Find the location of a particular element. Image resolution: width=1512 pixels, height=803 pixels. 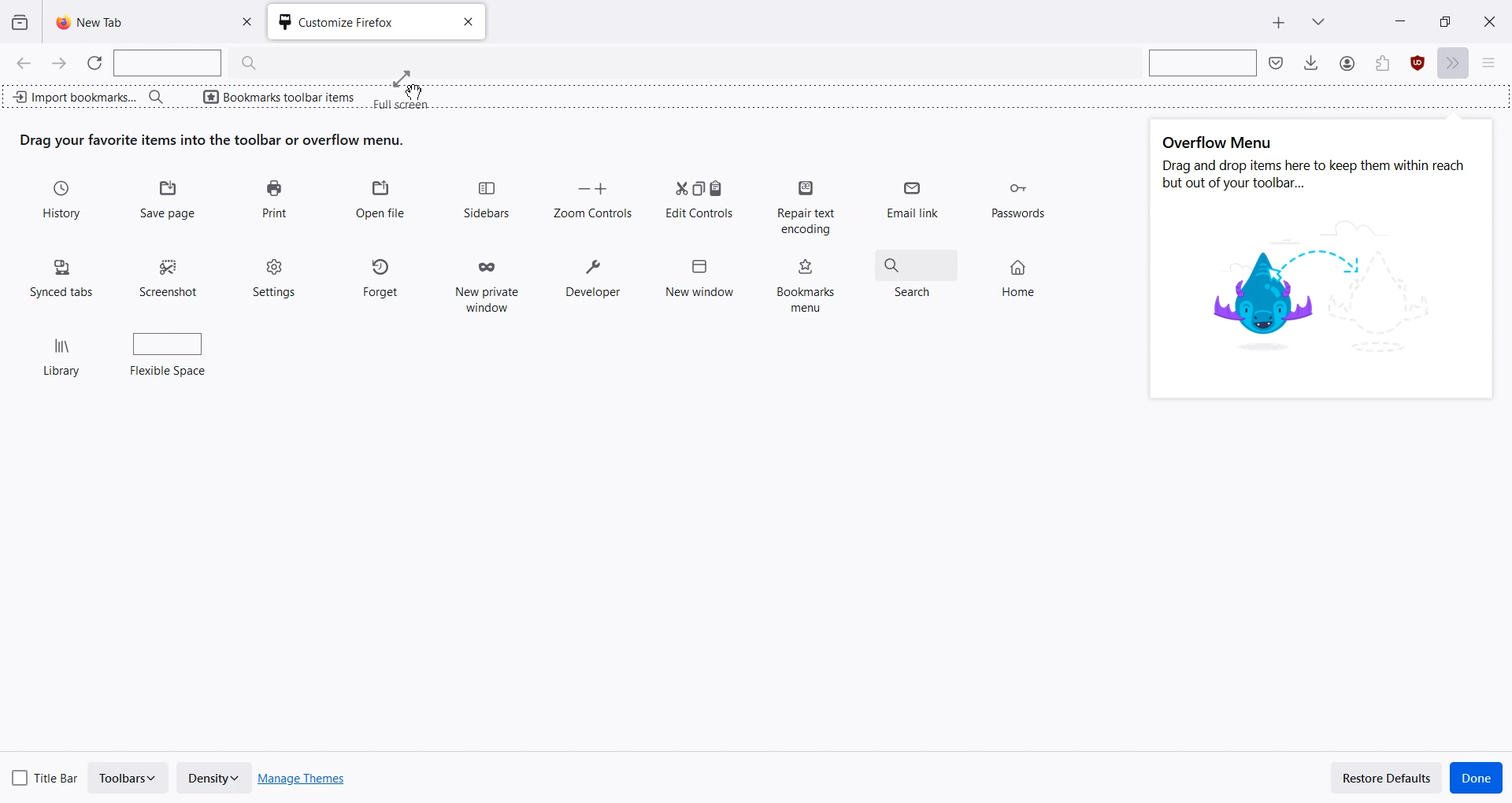

Settings is located at coordinates (276, 276).